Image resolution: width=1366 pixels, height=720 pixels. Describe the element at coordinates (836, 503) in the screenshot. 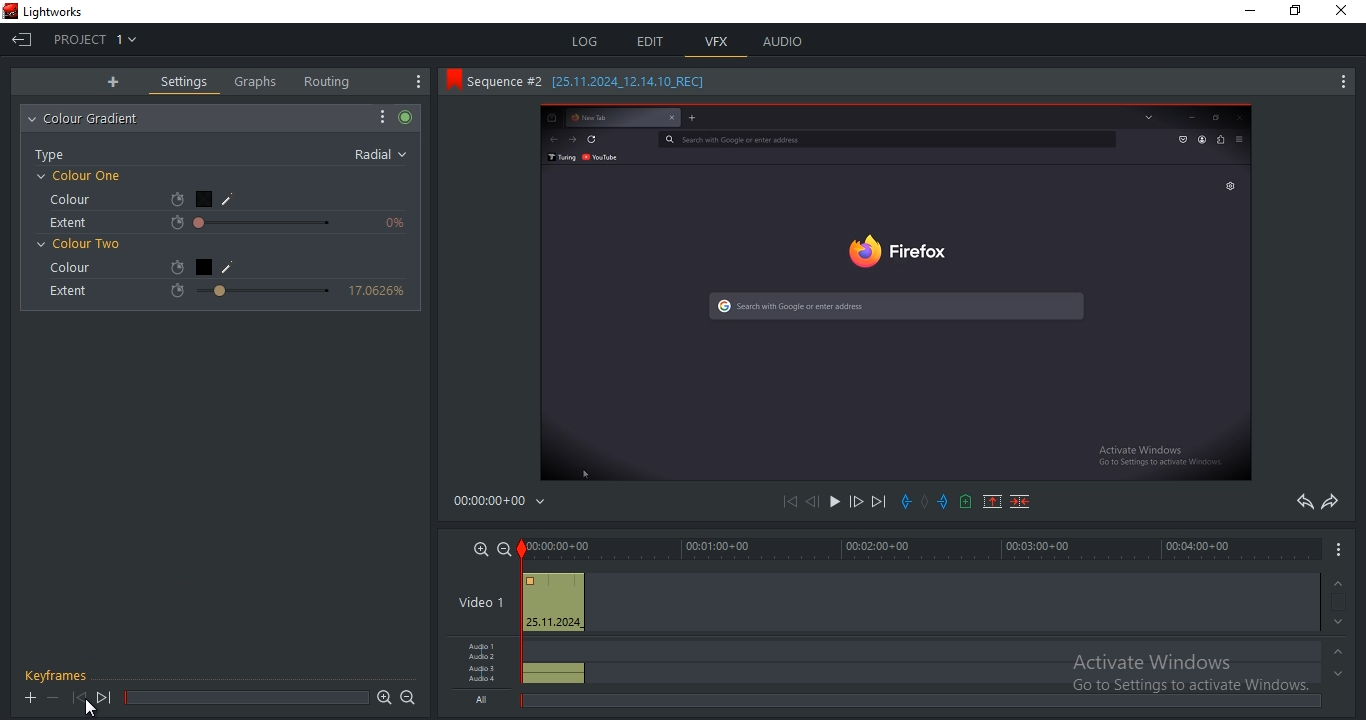

I see `play` at that location.